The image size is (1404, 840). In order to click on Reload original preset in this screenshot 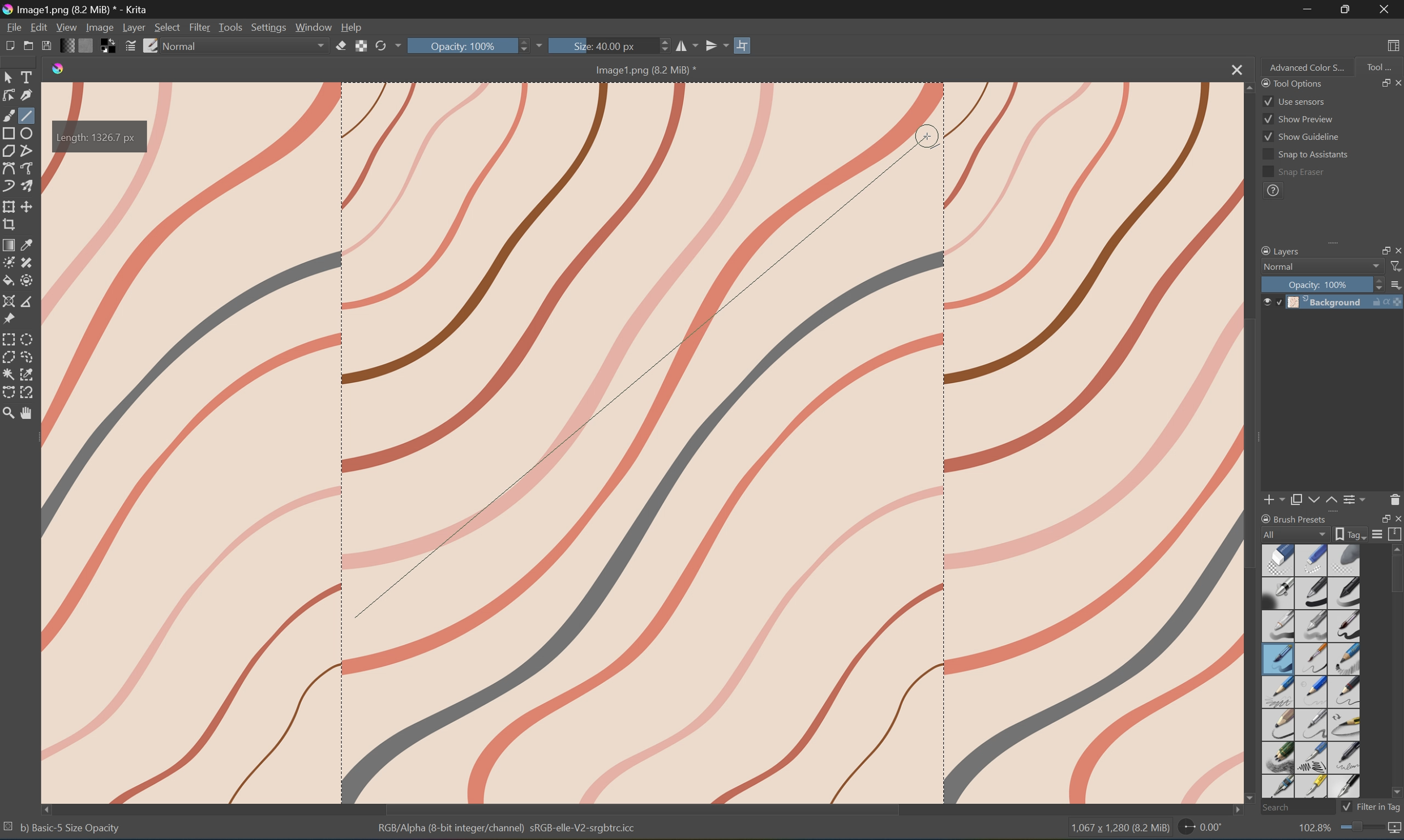, I will do `click(380, 46)`.